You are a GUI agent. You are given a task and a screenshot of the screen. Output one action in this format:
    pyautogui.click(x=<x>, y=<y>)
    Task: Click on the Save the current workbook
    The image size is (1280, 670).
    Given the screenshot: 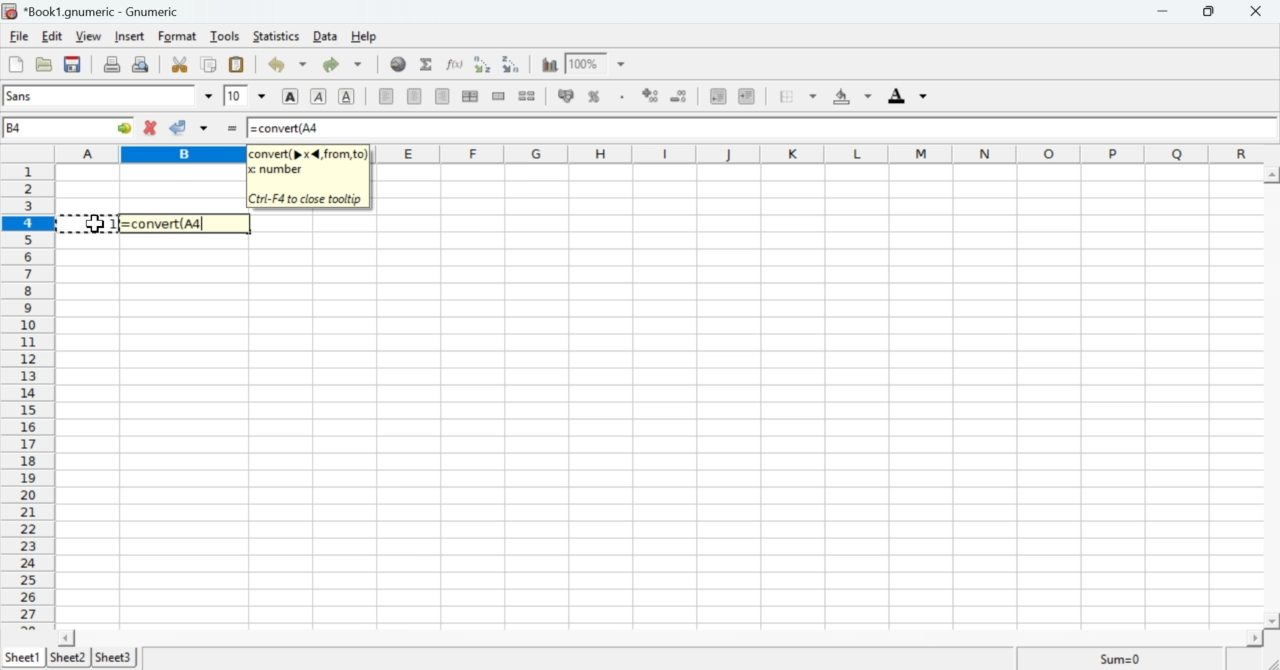 What is the action you would take?
    pyautogui.click(x=74, y=64)
    